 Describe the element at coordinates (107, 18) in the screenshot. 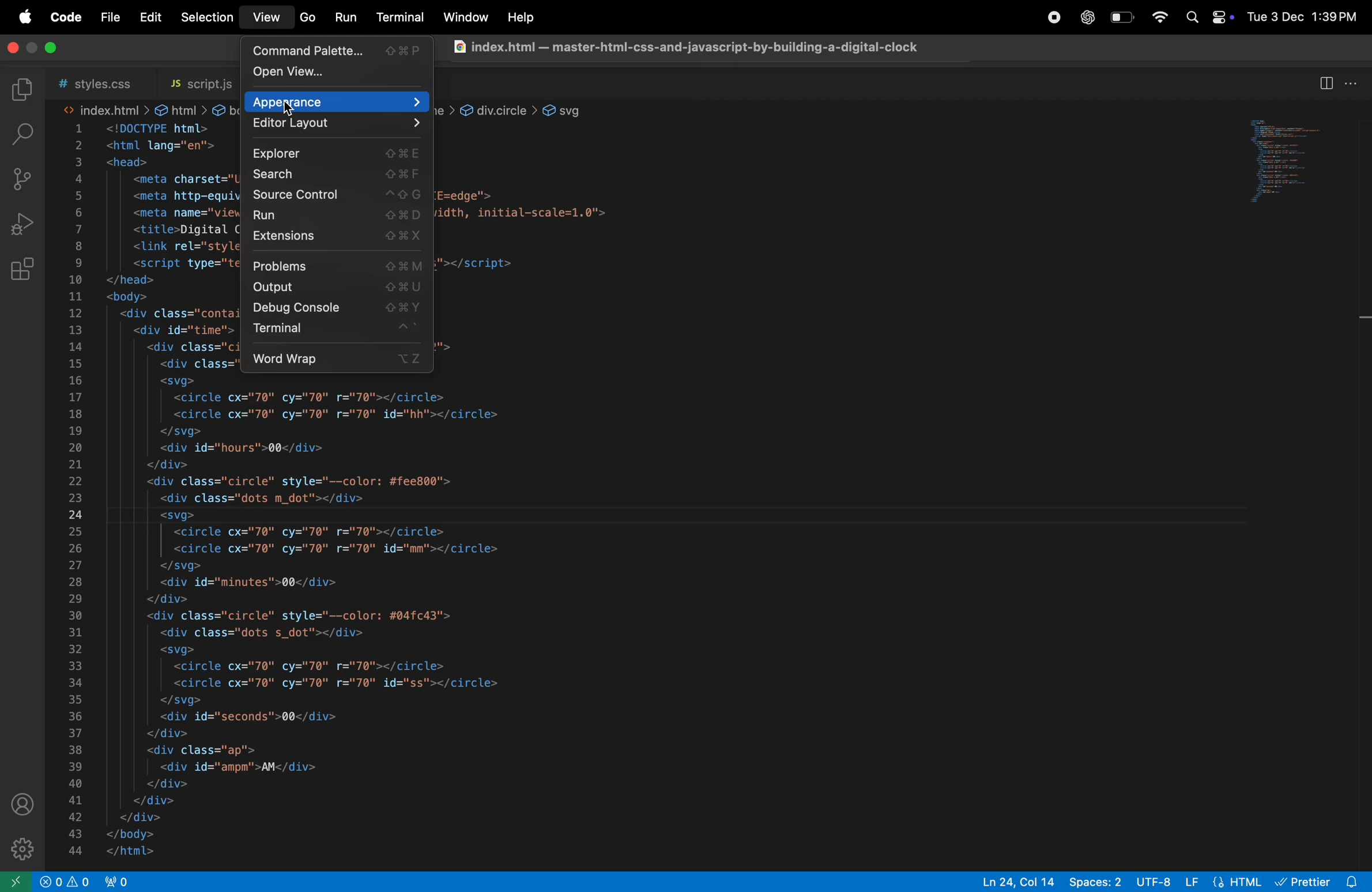

I see `file` at that location.